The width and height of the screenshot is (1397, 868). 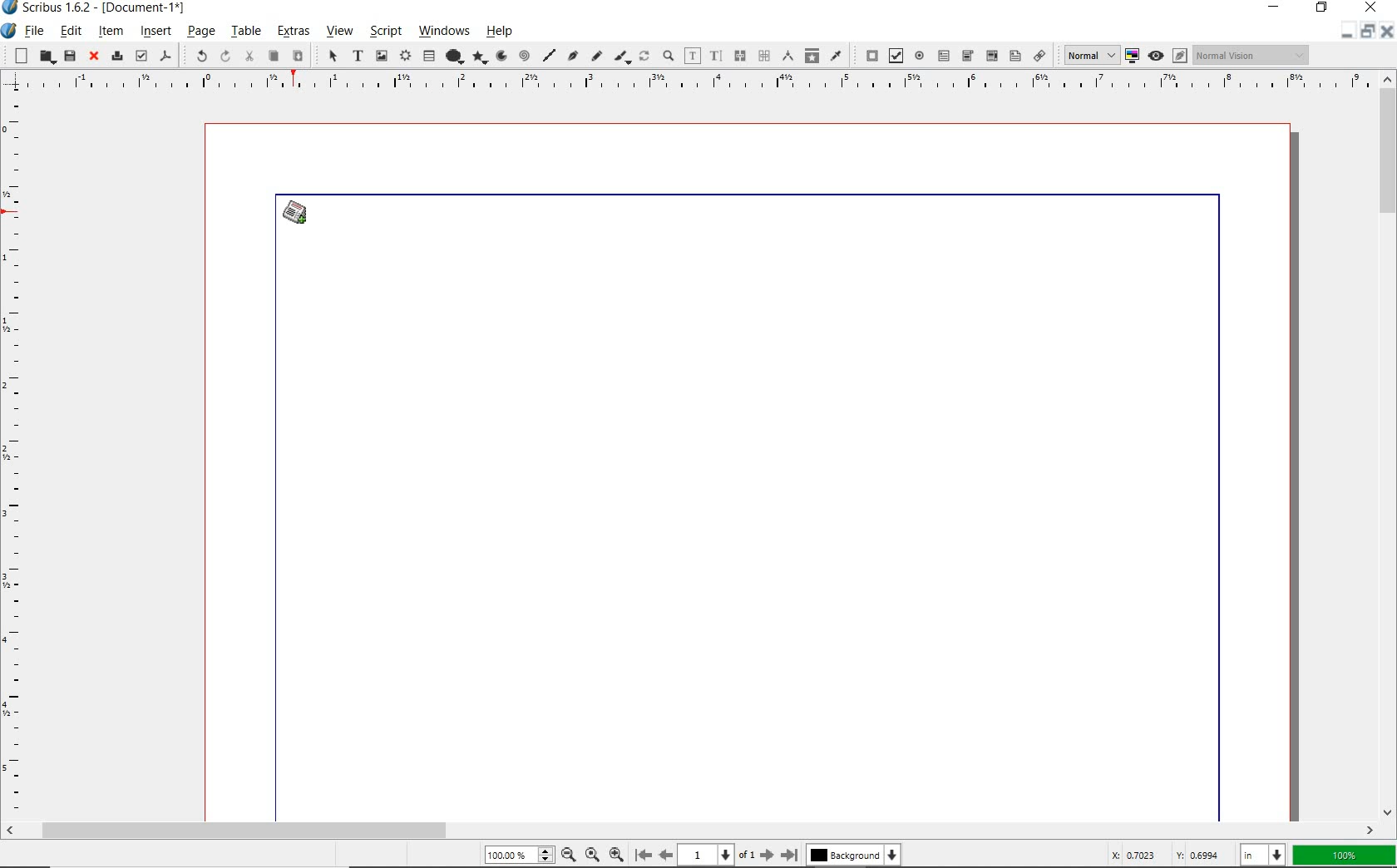 What do you see at coordinates (1039, 55) in the screenshot?
I see `link annotation` at bounding box center [1039, 55].